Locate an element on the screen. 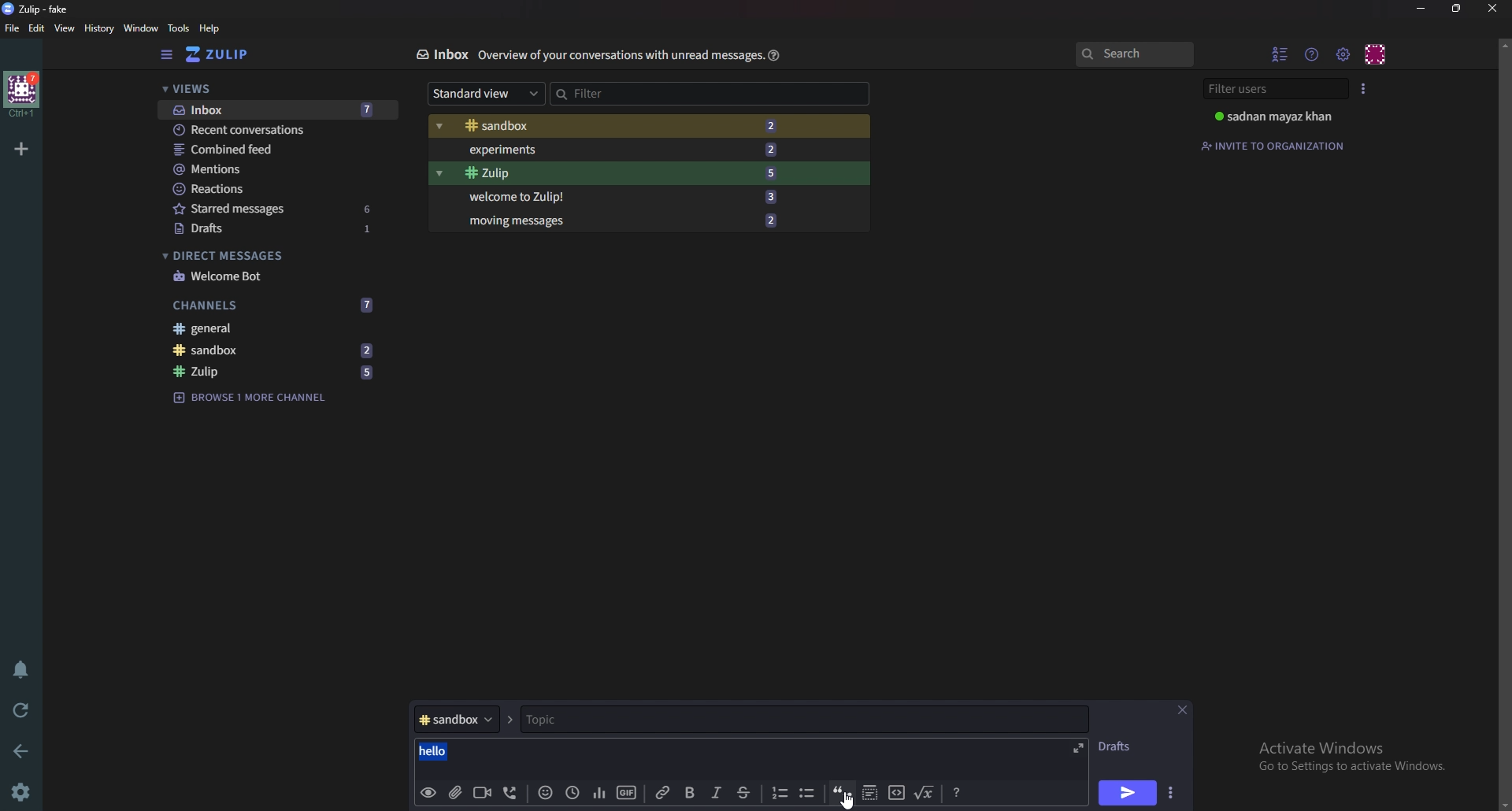 The image size is (1512, 811). 5 is located at coordinates (775, 172).